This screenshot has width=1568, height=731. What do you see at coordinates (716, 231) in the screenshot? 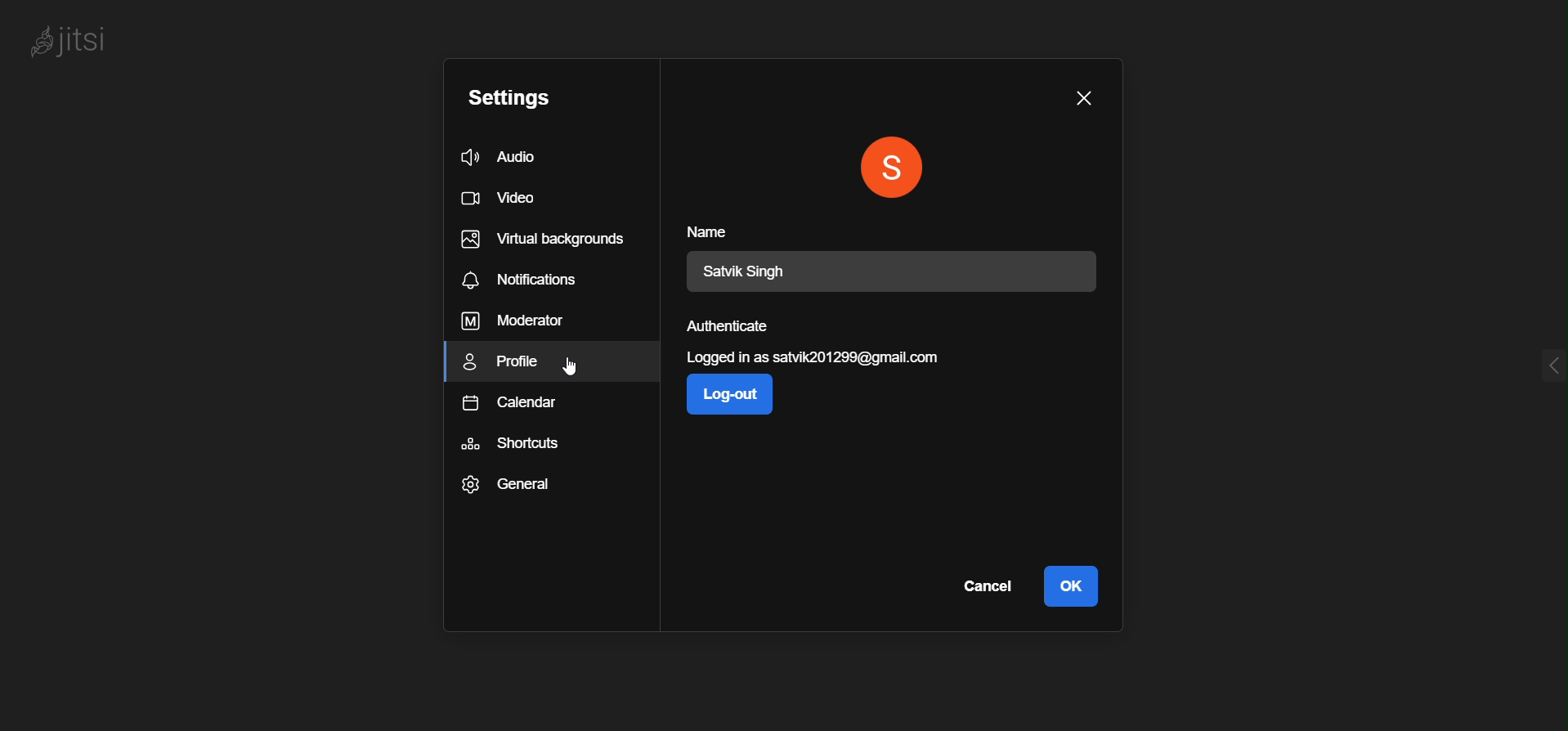
I see `name` at bounding box center [716, 231].